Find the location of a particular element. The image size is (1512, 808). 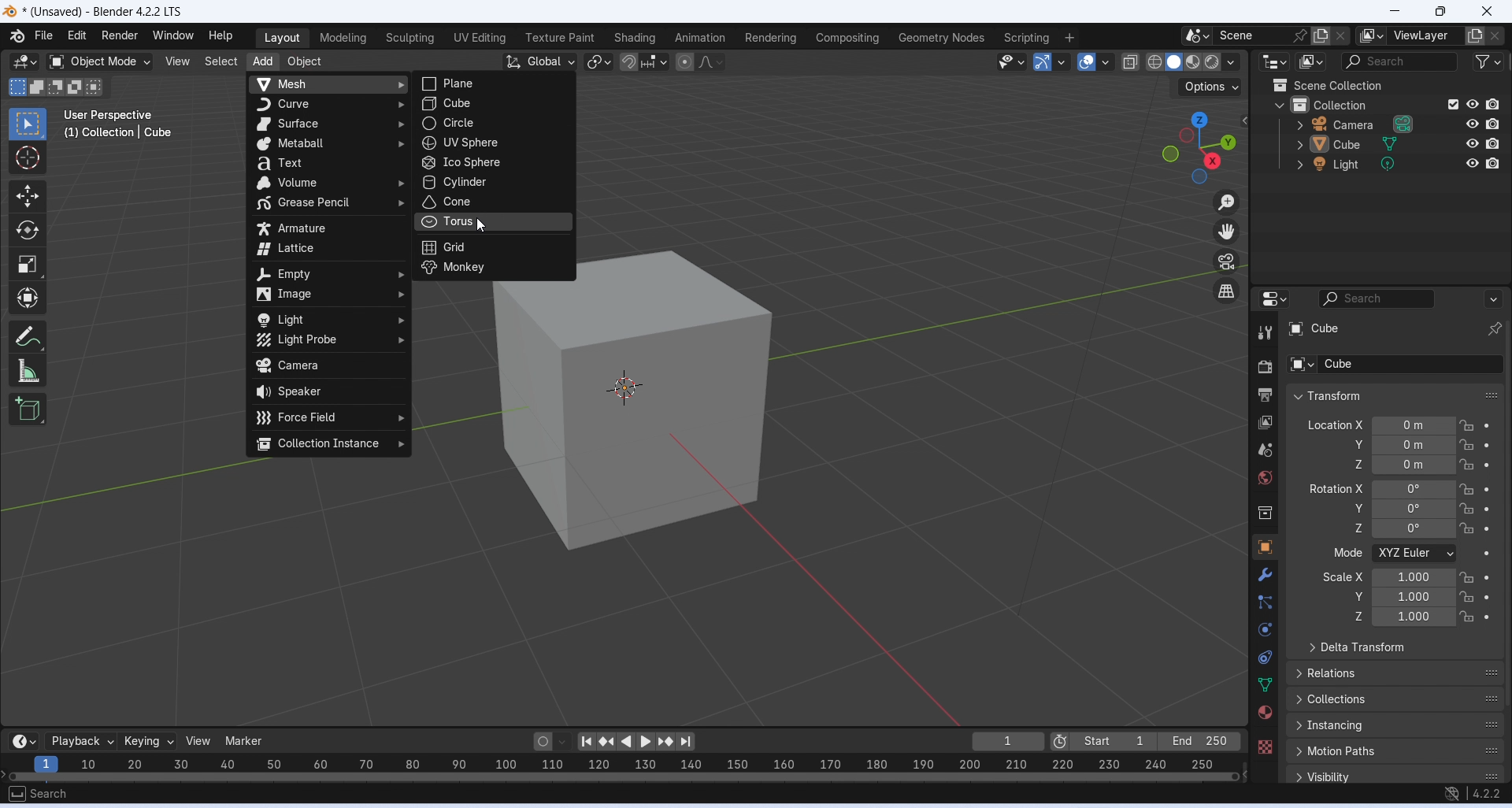

New scene is located at coordinates (1345, 36).